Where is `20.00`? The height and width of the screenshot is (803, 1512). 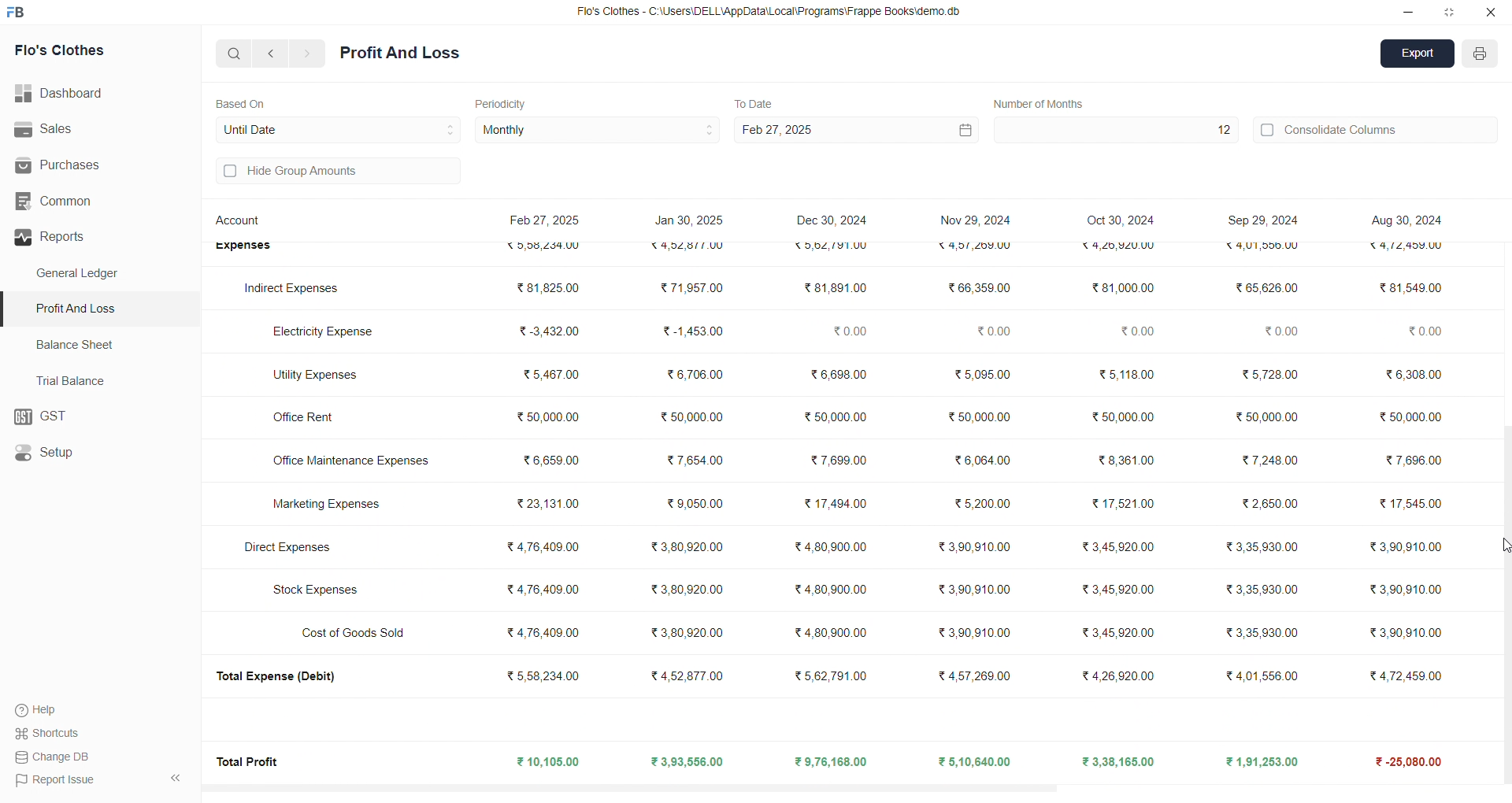 20.00 is located at coordinates (1414, 332).